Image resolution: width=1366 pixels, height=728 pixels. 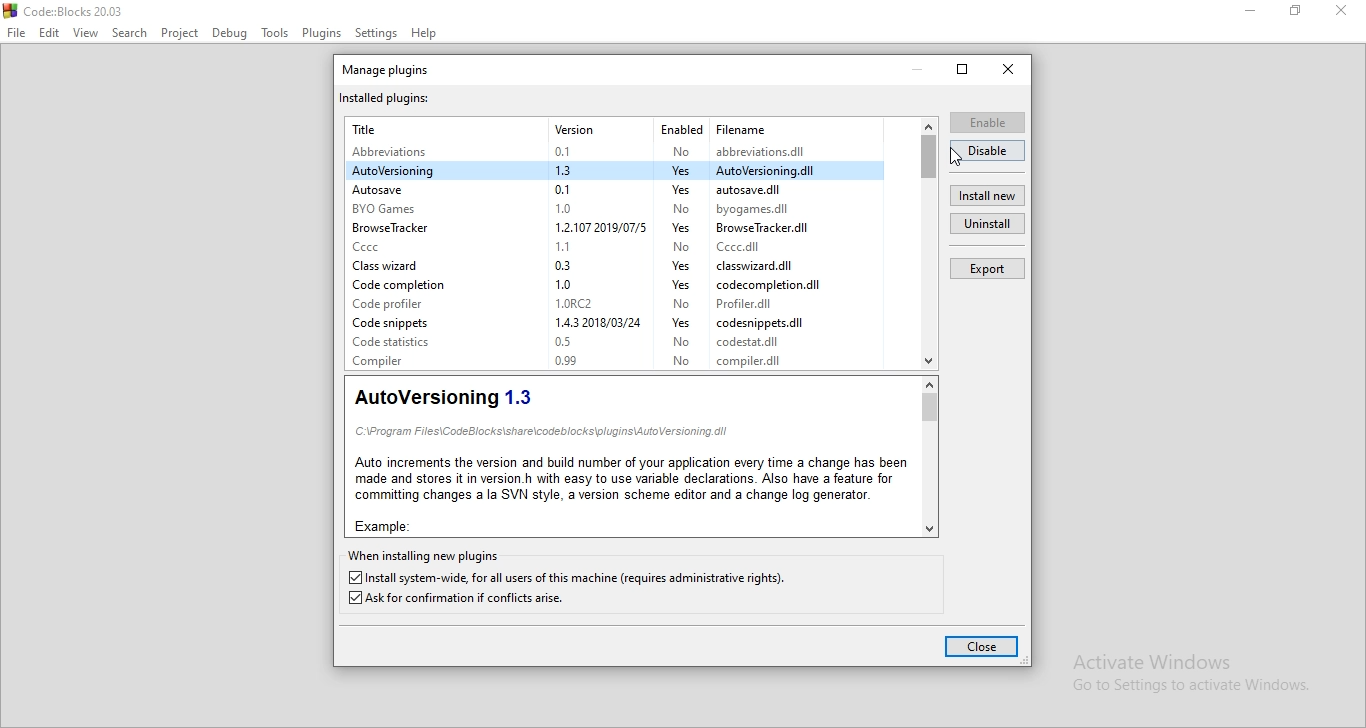 I want to click on ‘compiler.dil, so click(x=751, y=363).